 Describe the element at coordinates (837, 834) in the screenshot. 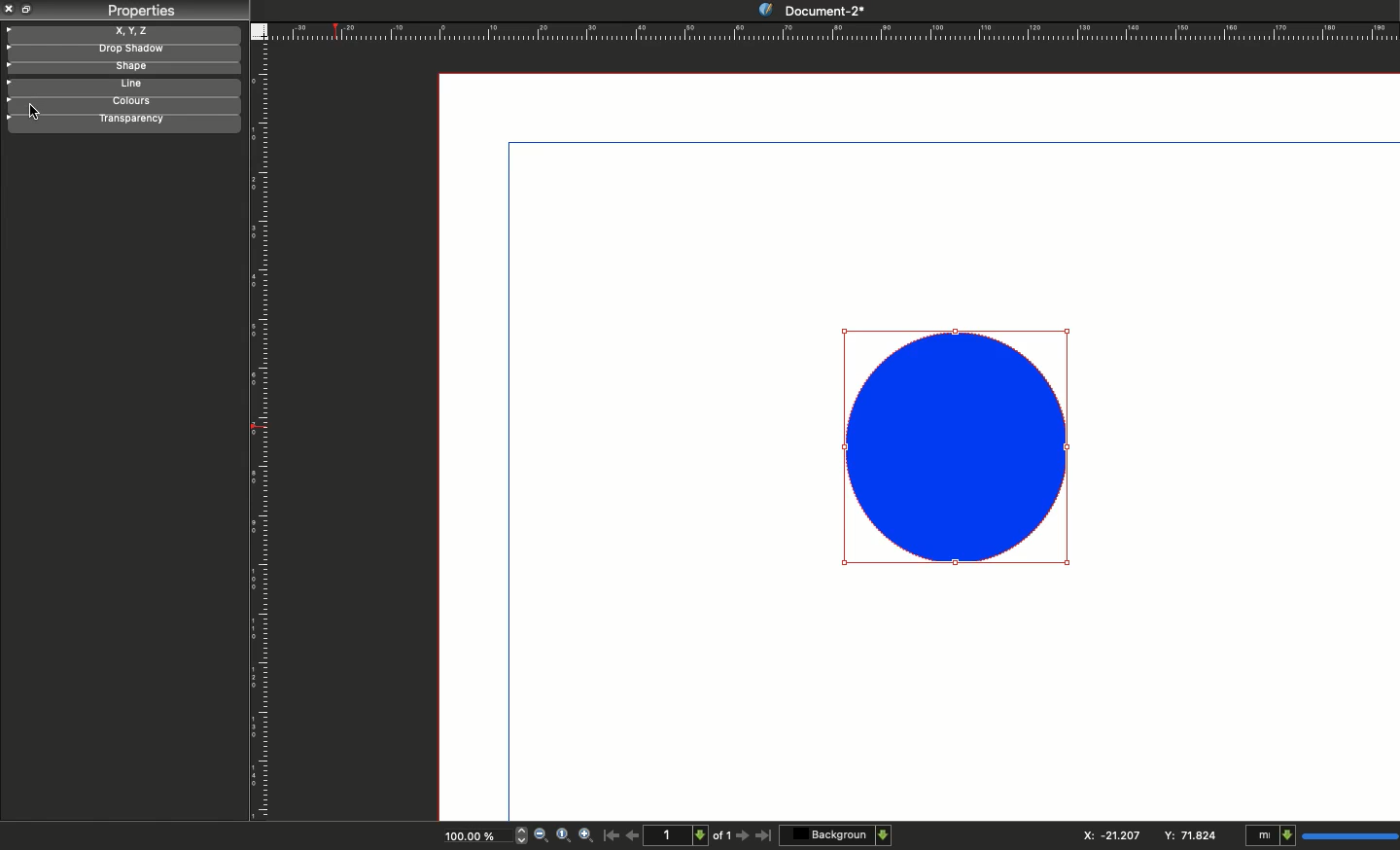

I see `Background` at that location.